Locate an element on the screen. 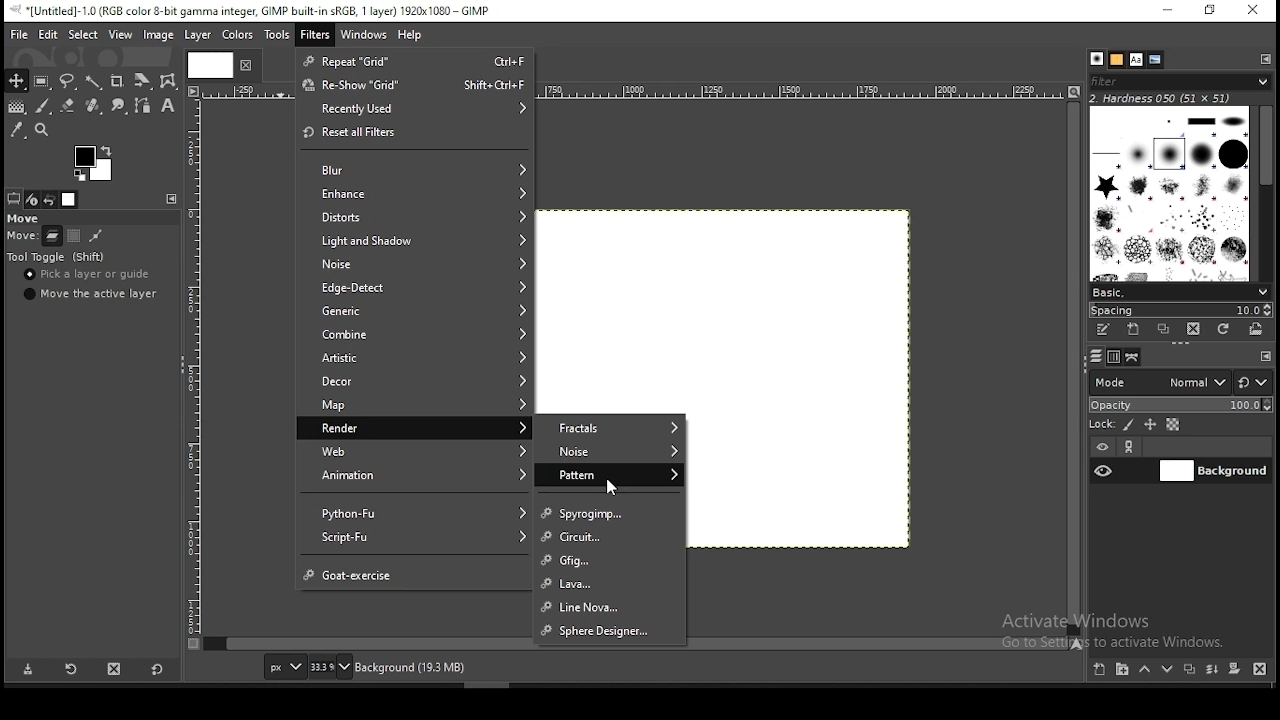  lava is located at coordinates (609, 585).